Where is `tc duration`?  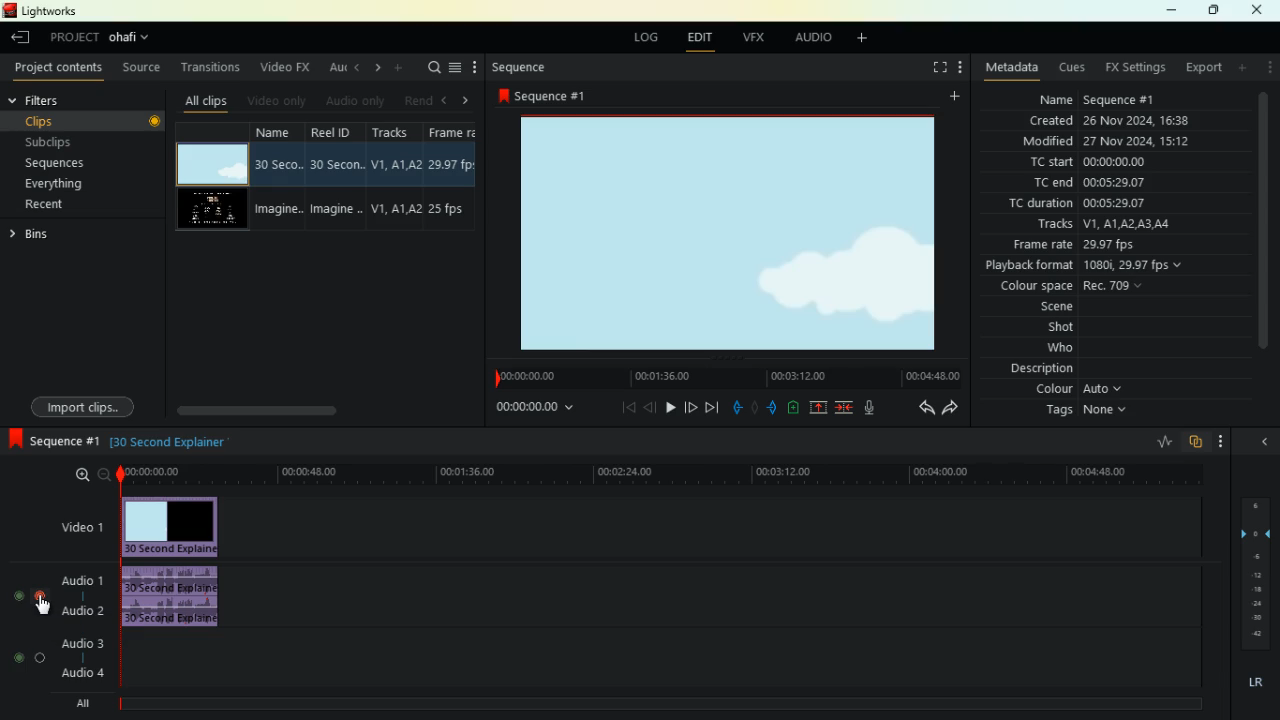 tc duration is located at coordinates (1103, 204).